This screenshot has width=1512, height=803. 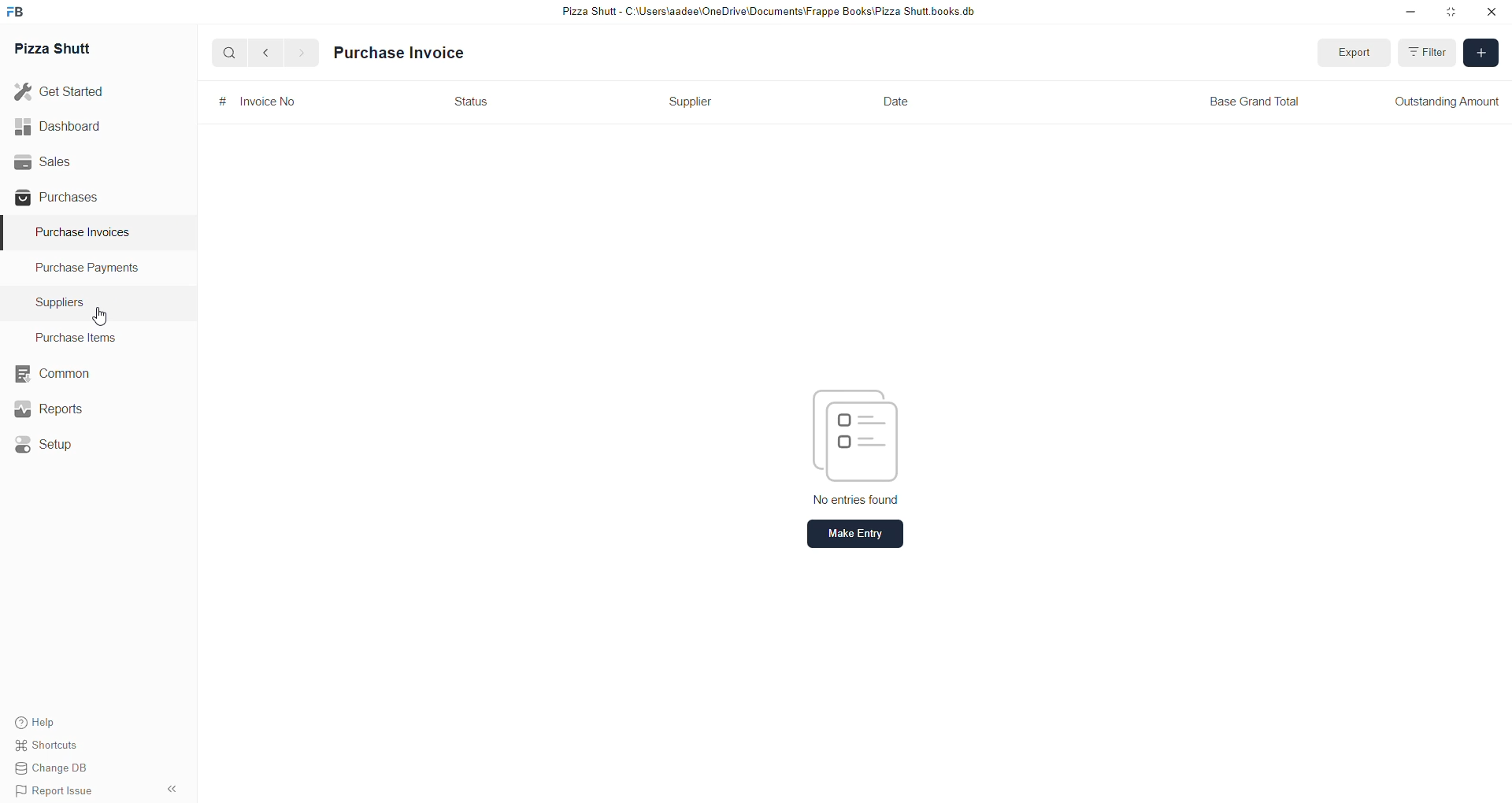 I want to click on Pizza Shutt - C:\Users\aadee\OneDrive\Documents\Frappe Books\Pizza Shutt books.db, so click(x=766, y=13).